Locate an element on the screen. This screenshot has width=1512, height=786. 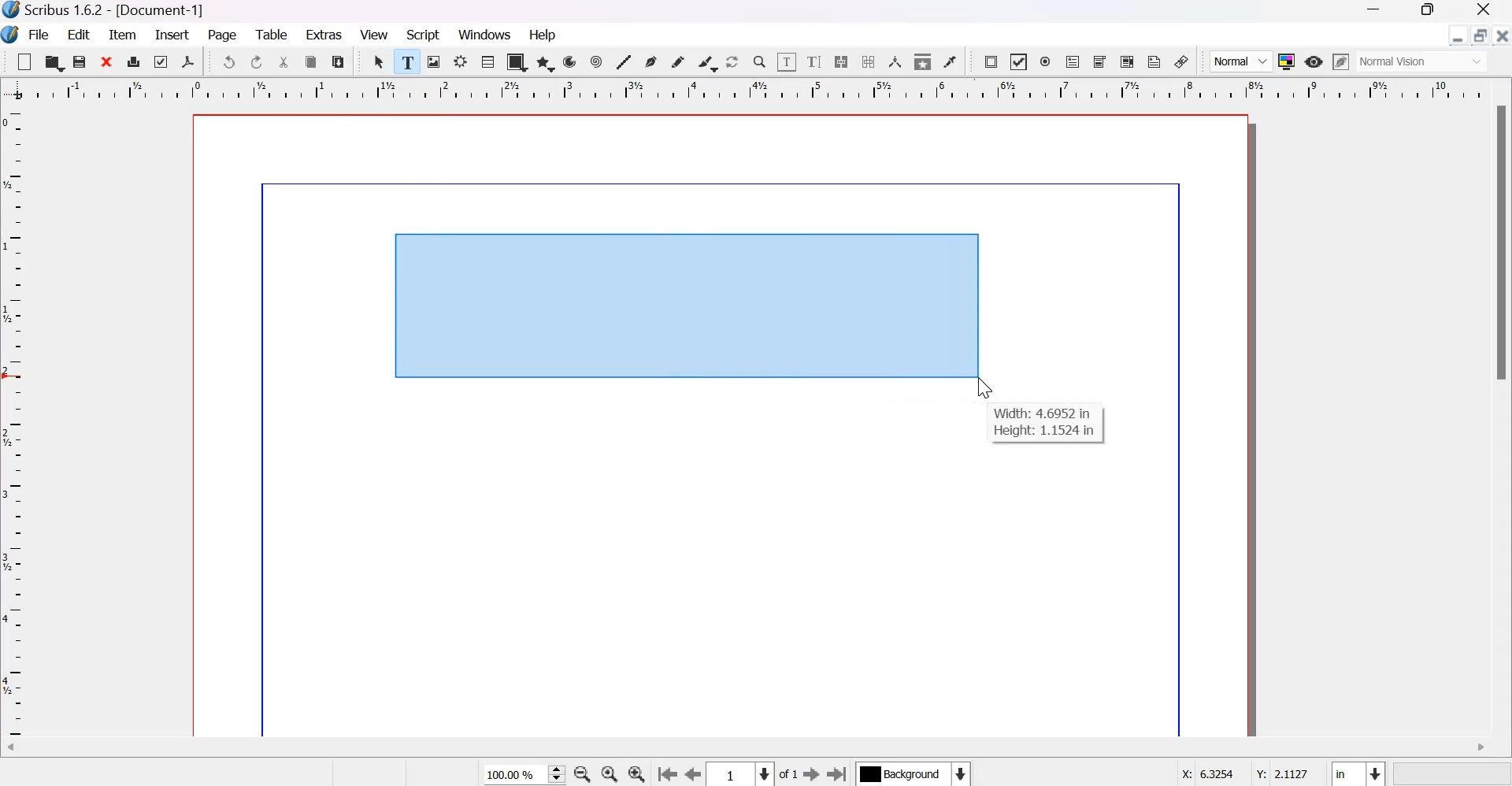
select item is located at coordinates (380, 61).